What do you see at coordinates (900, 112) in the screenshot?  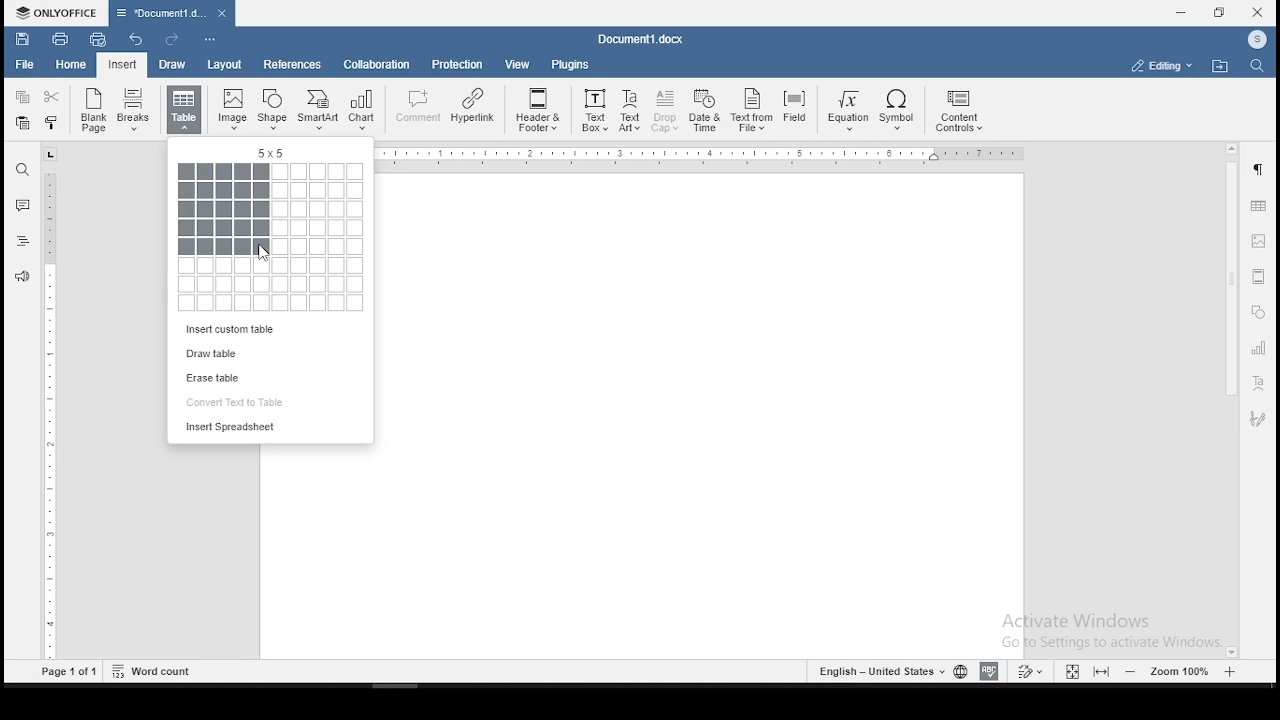 I see `Symbol` at bounding box center [900, 112].